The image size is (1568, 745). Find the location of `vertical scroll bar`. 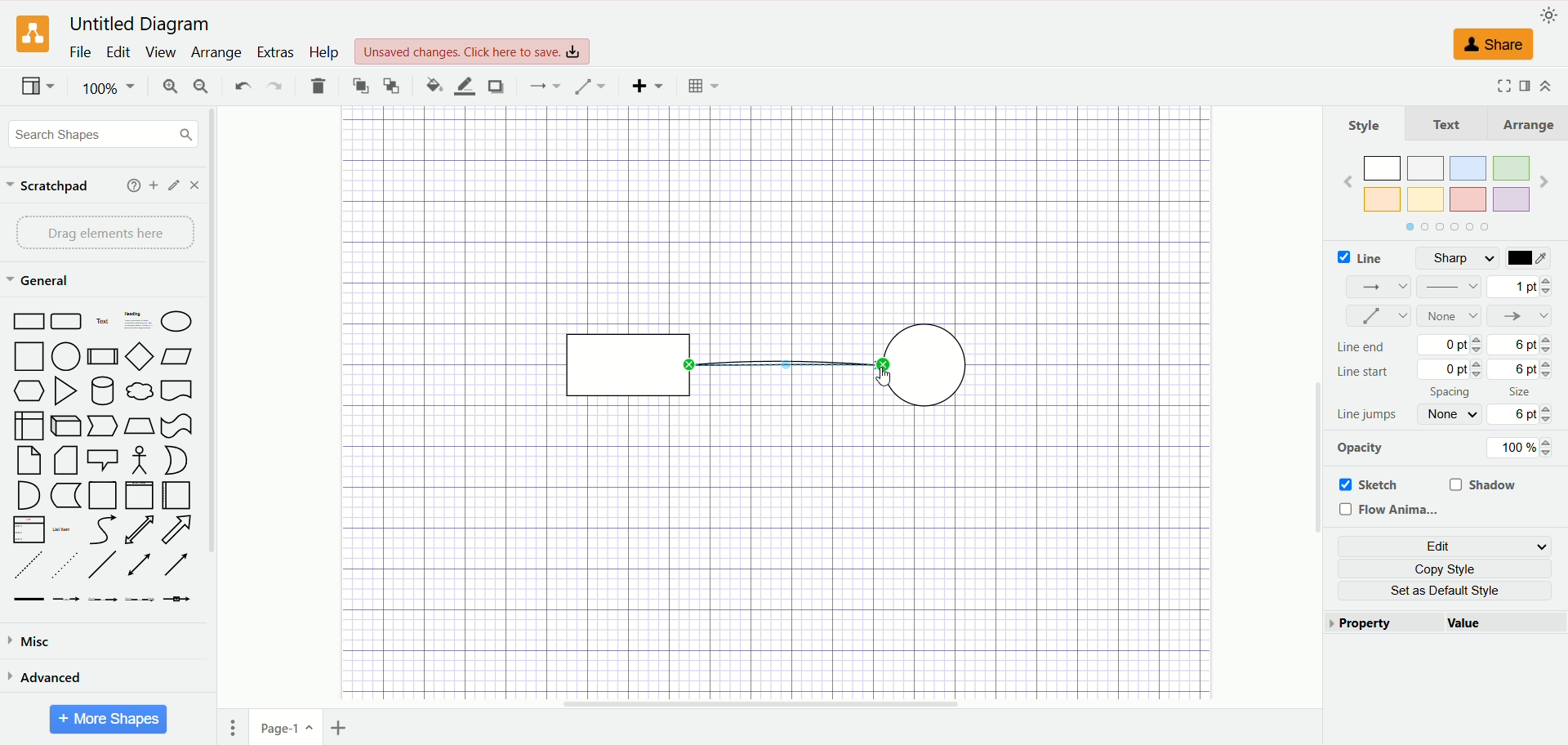

vertical scroll bar is located at coordinates (1317, 400).